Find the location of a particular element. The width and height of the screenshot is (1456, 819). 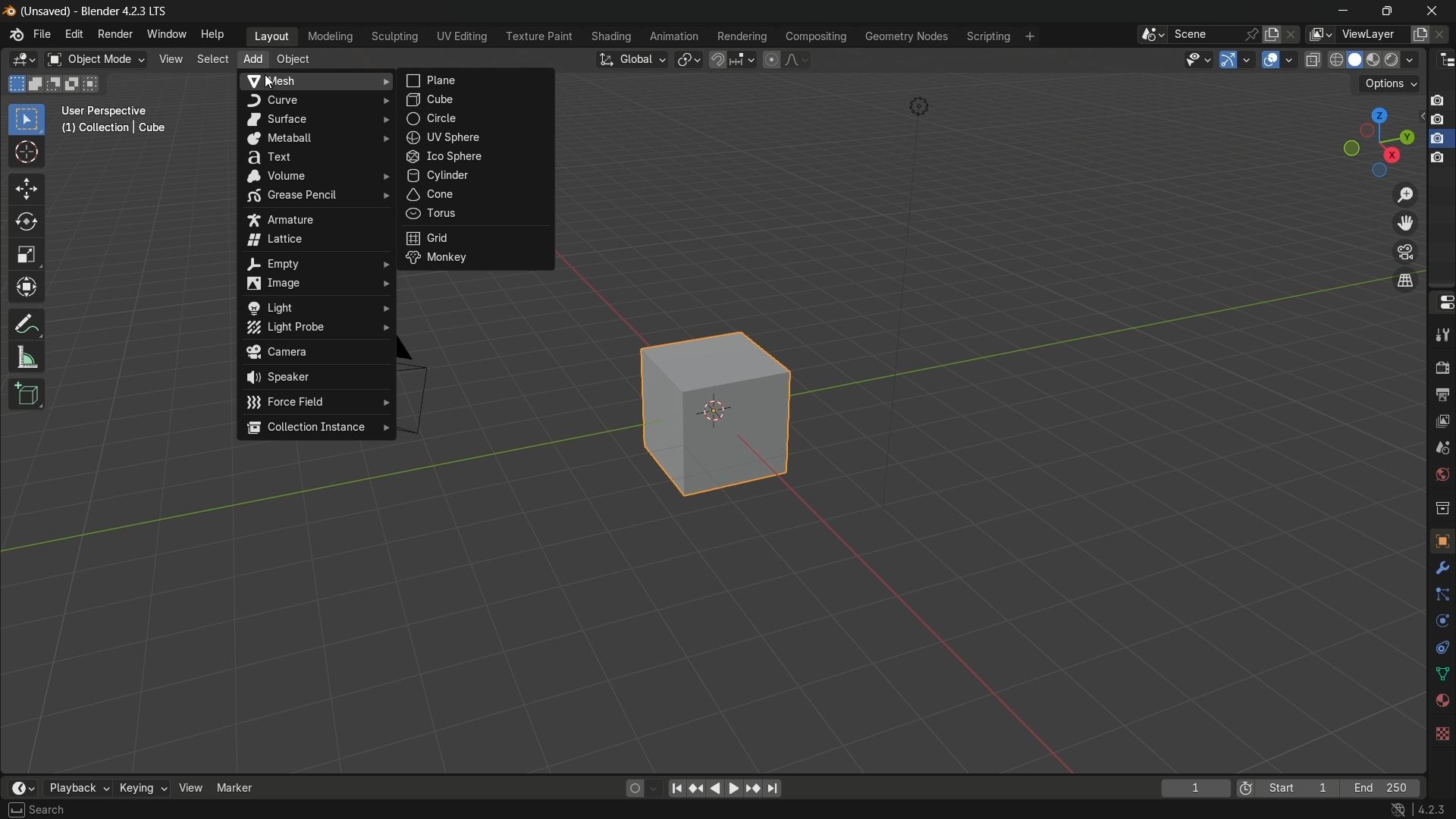

measure is located at coordinates (27, 358).